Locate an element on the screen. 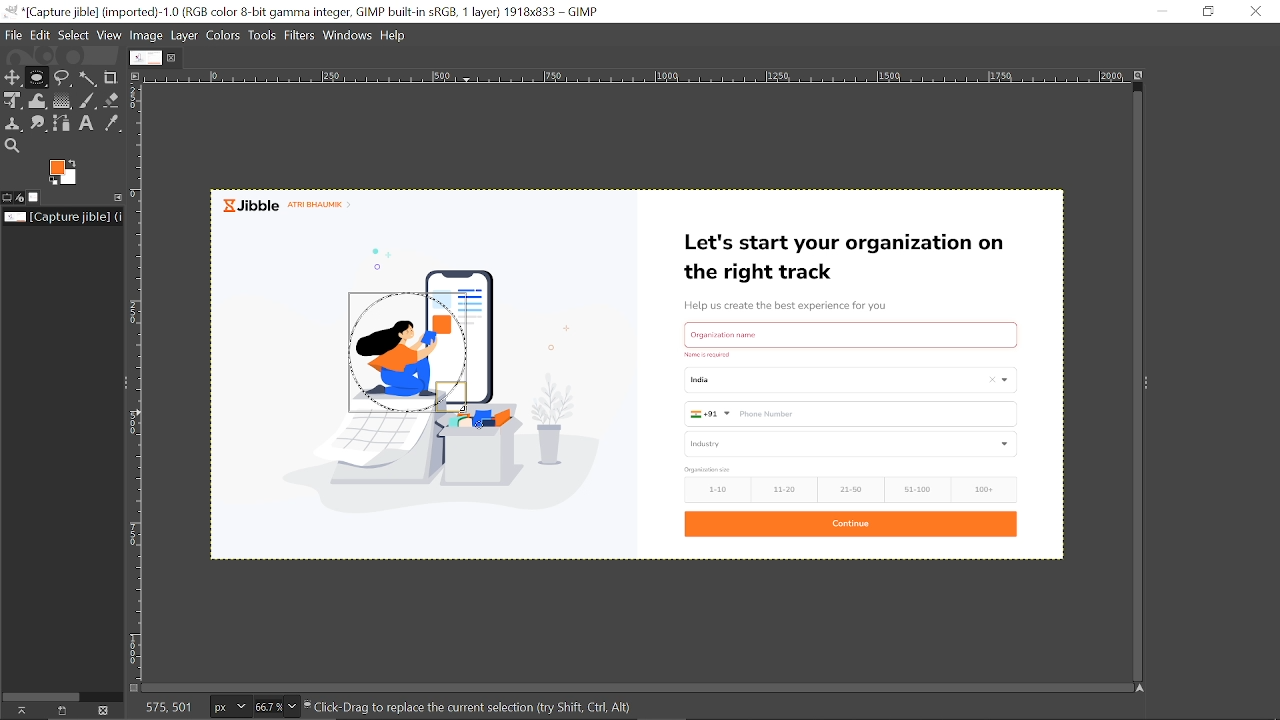 The height and width of the screenshot is (720, 1280). Paintbrush tool is located at coordinates (89, 100).